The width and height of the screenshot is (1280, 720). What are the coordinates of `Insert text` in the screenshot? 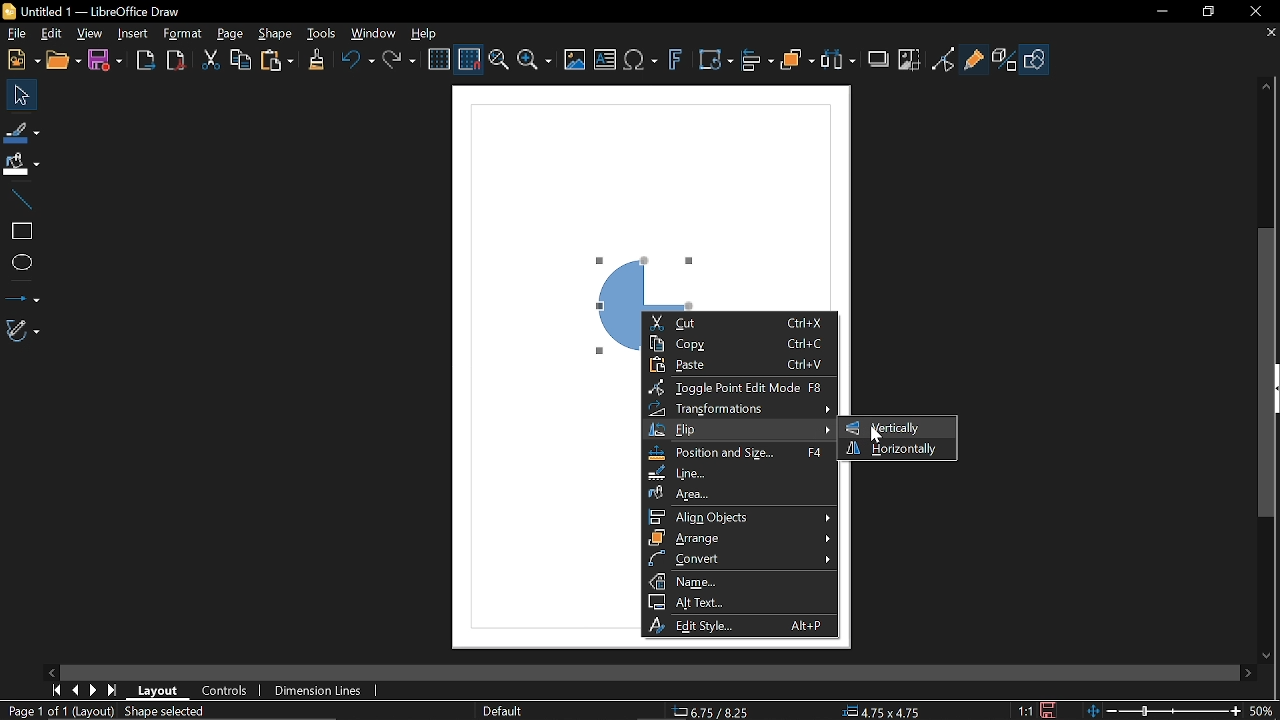 It's located at (605, 61).